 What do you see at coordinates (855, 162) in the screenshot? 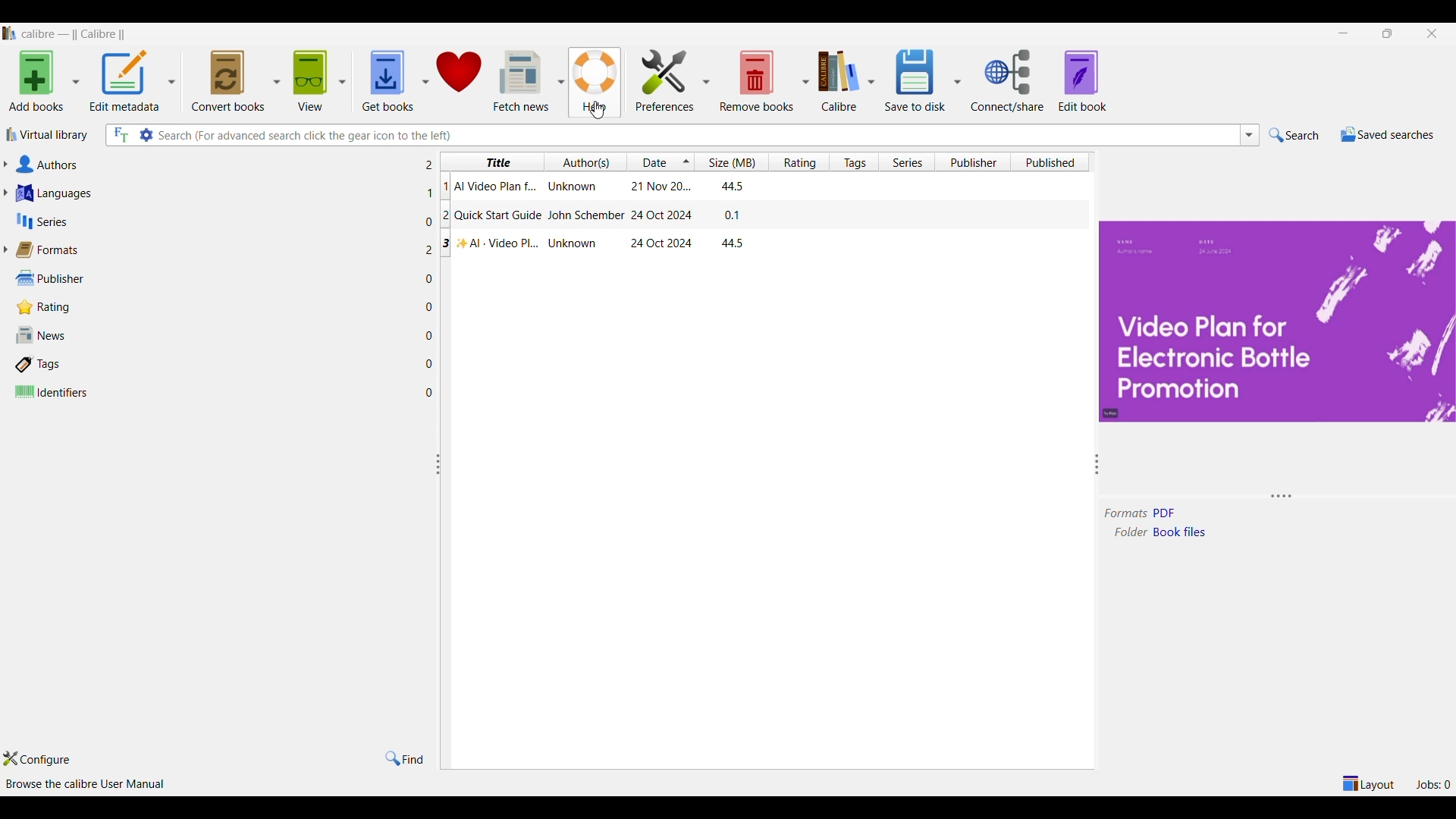
I see `Tags column` at bounding box center [855, 162].